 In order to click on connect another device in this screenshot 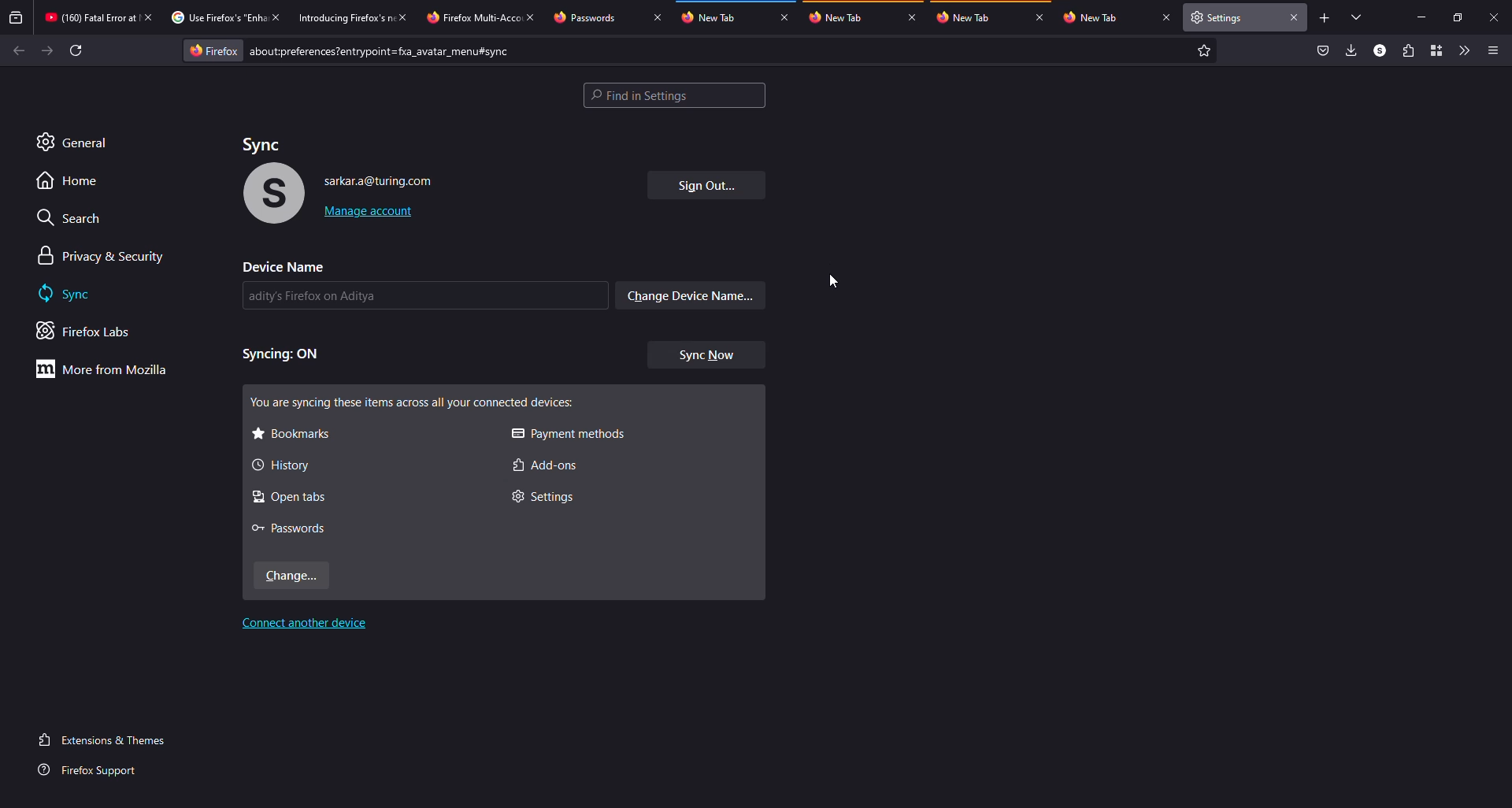, I will do `click(307, 622)`.